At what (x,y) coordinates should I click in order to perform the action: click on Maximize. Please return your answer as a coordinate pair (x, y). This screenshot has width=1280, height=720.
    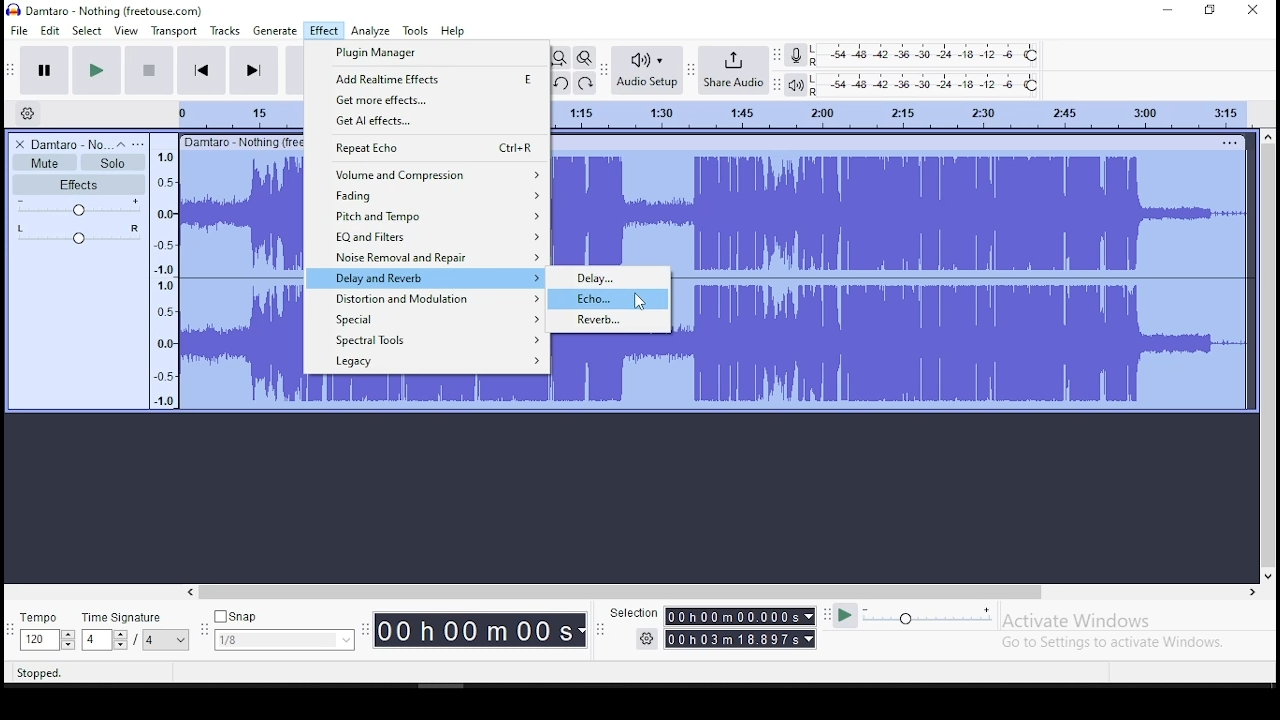
    Looking at the image, I should click on (1210, 12).